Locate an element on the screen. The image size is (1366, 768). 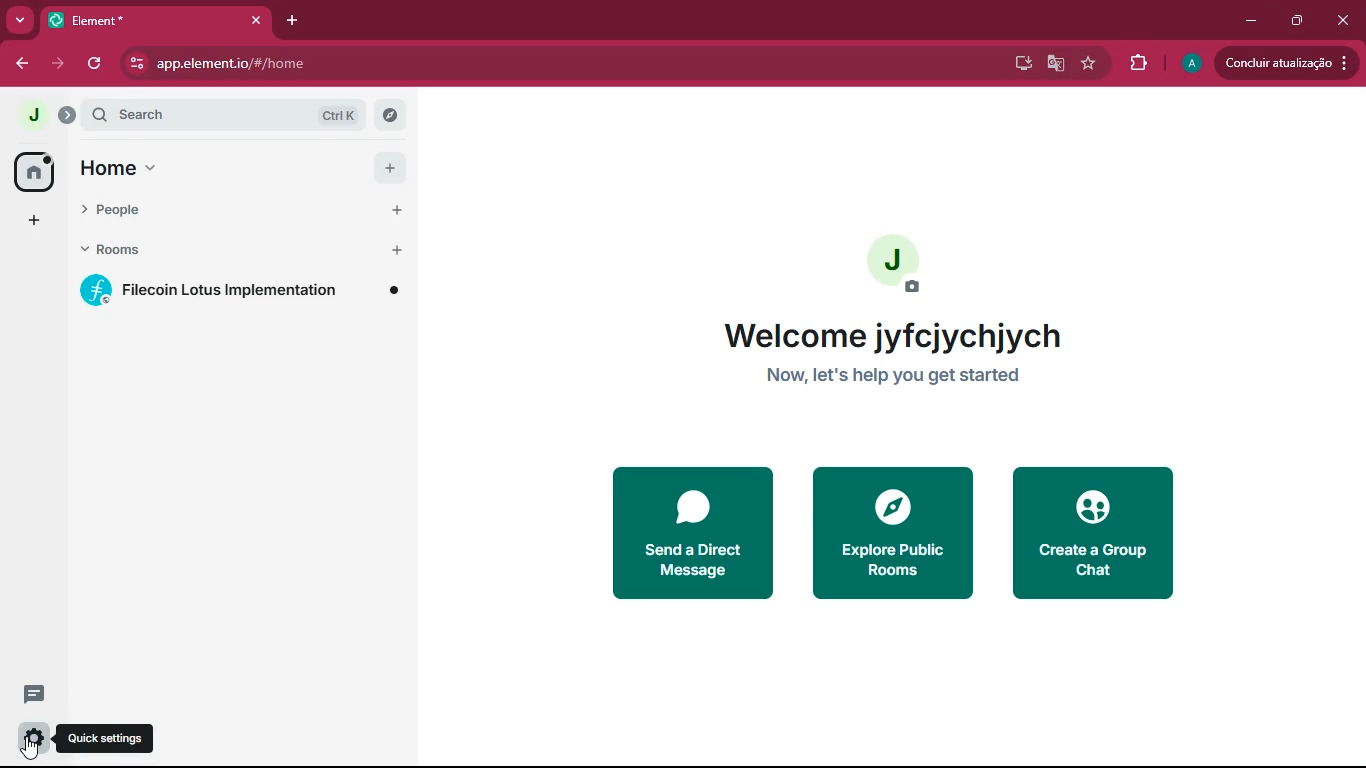
rooms  is located at coordinates (205, 255).